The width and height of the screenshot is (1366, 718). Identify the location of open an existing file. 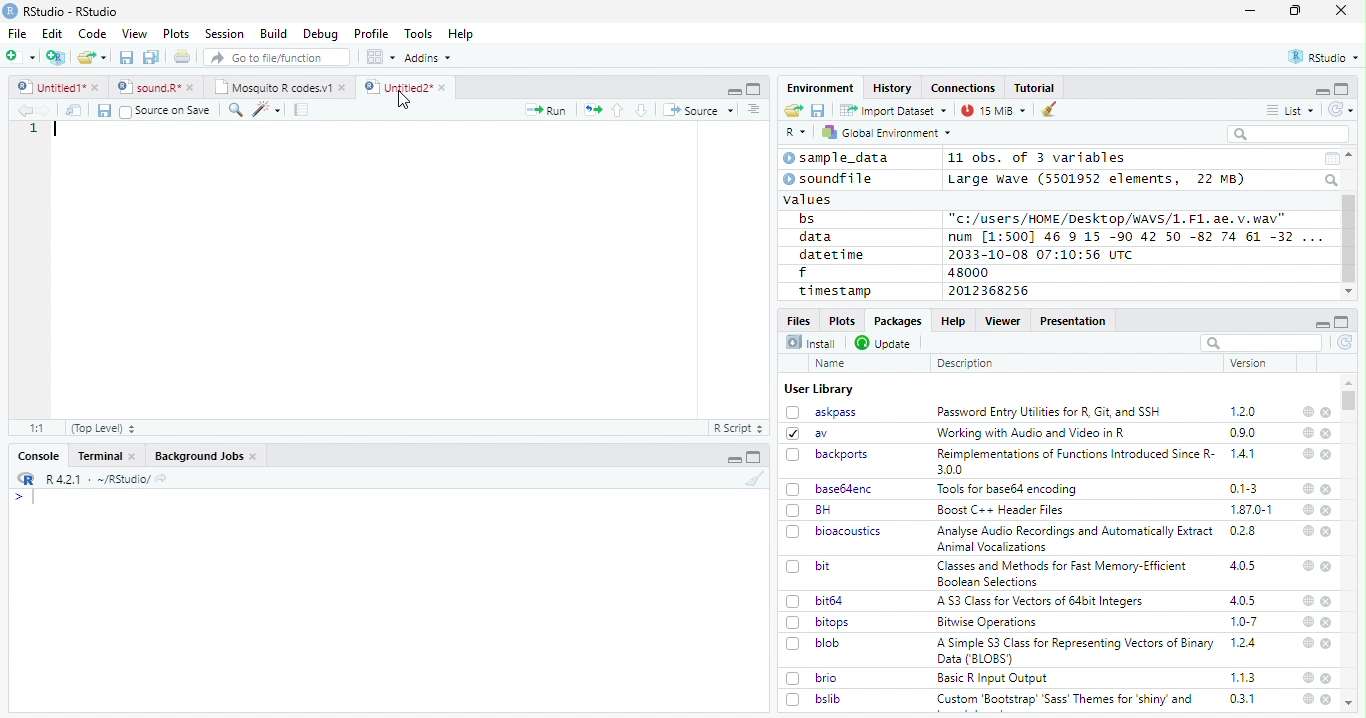
(91, 58).